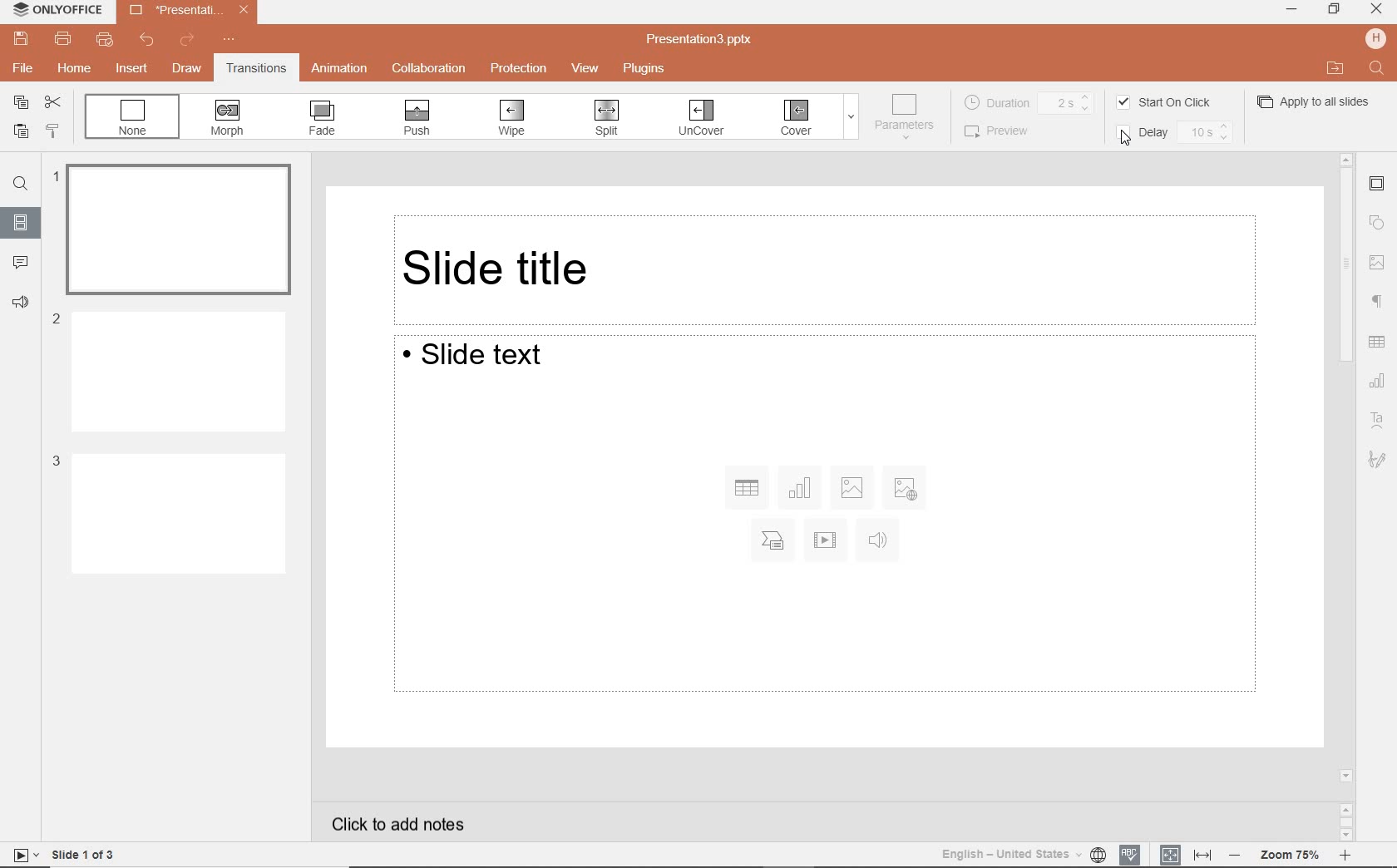 The width and height of the screenshot is (1397, 868). What do you see at coordinates (1377, 264) in the screenshot?
I see `navigation` at bounding box center [1377, 264].